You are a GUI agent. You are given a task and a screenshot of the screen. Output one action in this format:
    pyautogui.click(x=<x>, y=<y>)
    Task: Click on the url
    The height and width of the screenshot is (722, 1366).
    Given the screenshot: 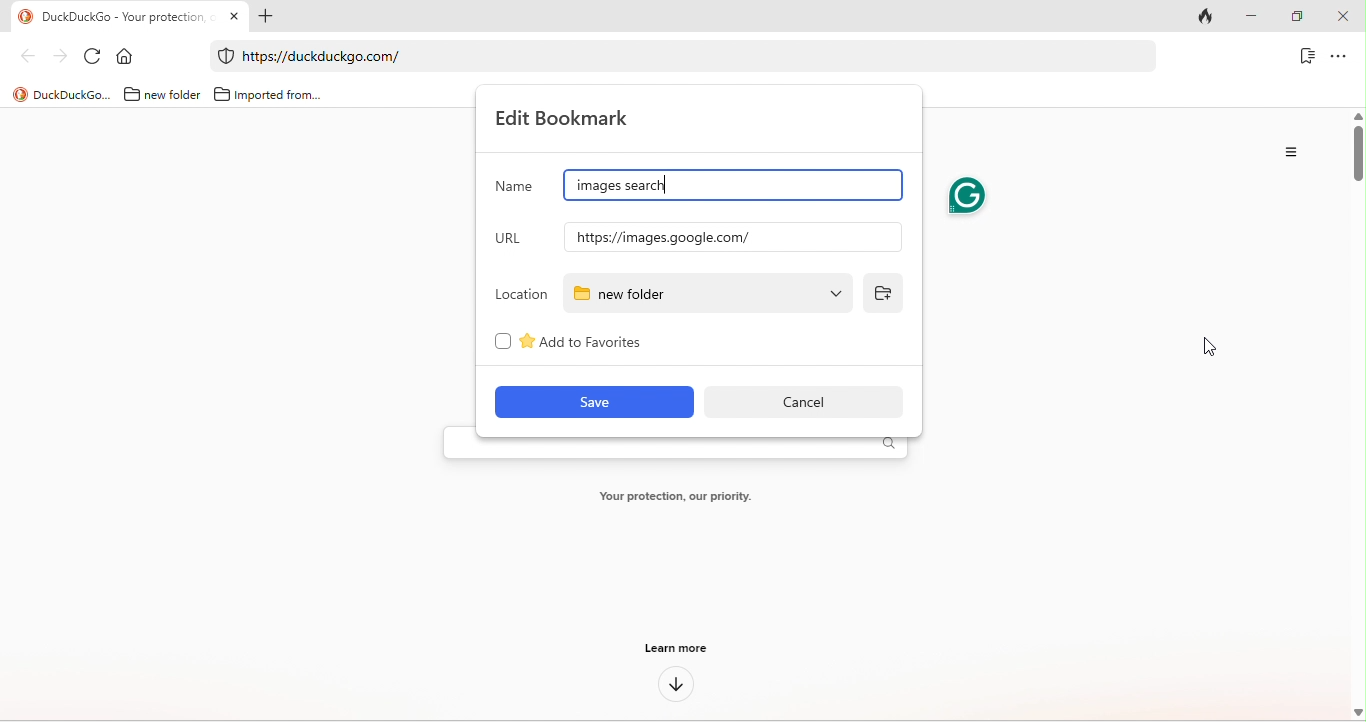 What is the action you would take?
    pyautogui.click(x=514, y=235)
    